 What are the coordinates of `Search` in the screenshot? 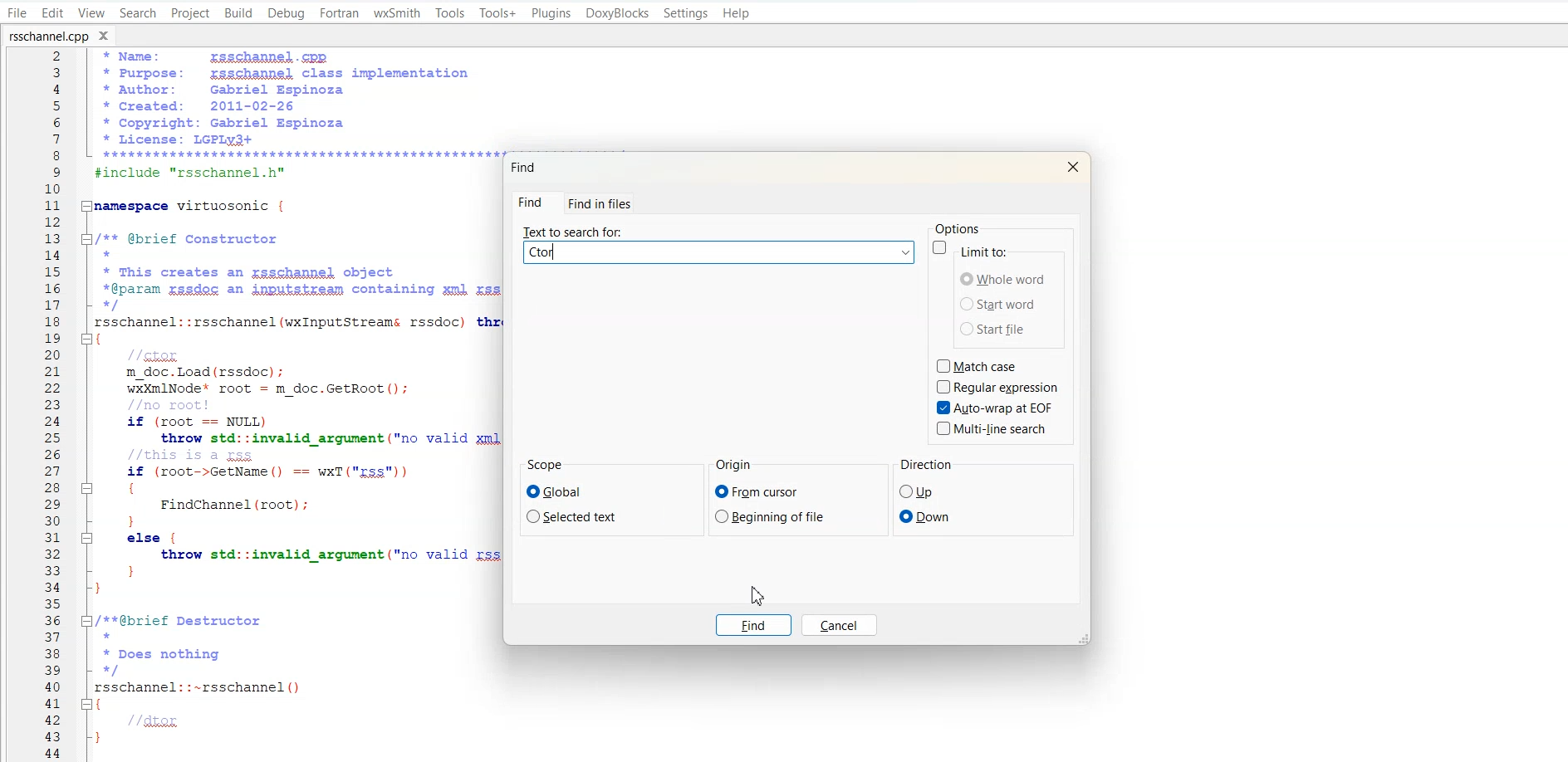 It's located at (137, 13).